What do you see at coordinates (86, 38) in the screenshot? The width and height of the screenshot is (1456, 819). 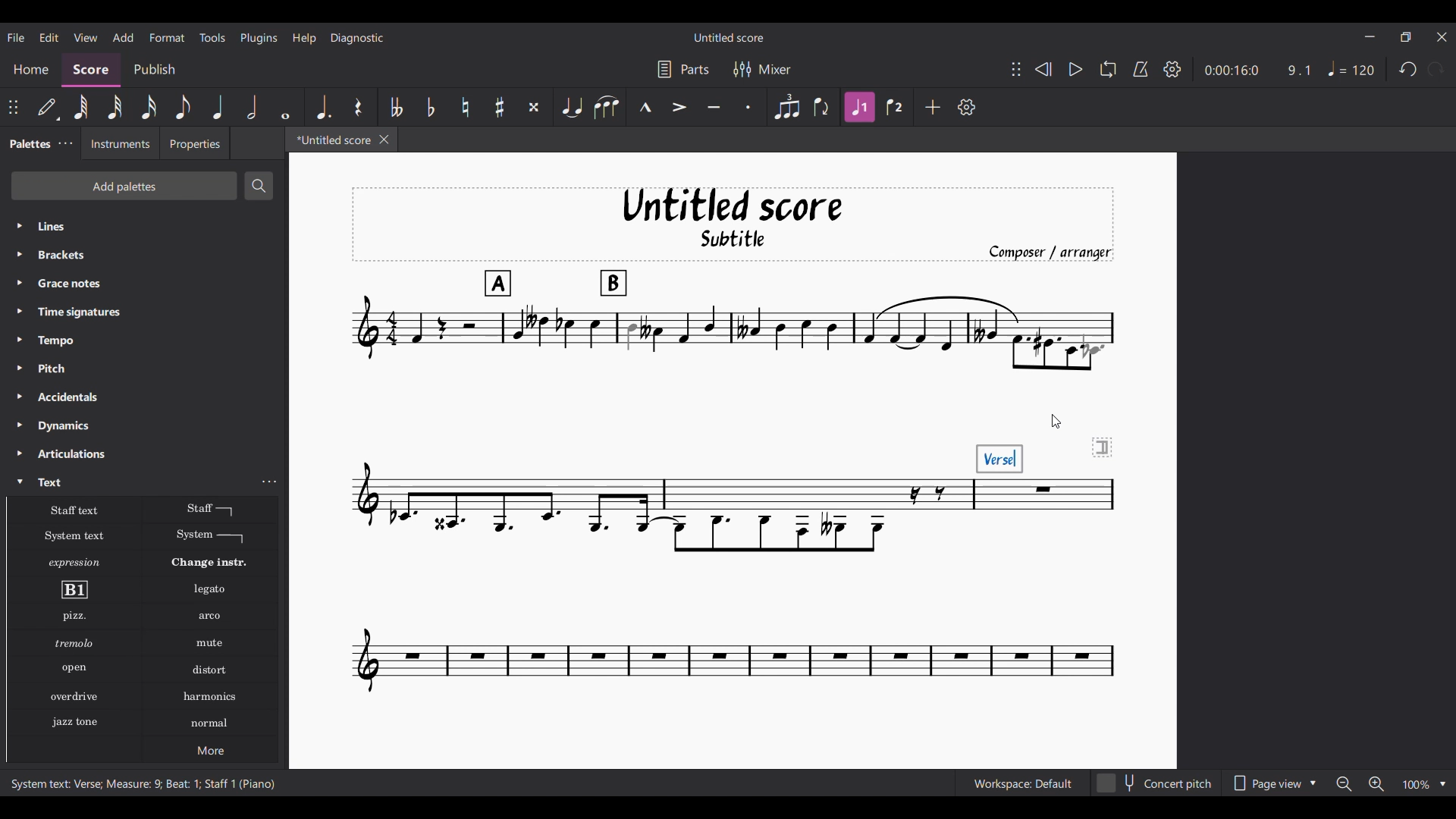 I see `View menu` at bounding box center [86, 38].